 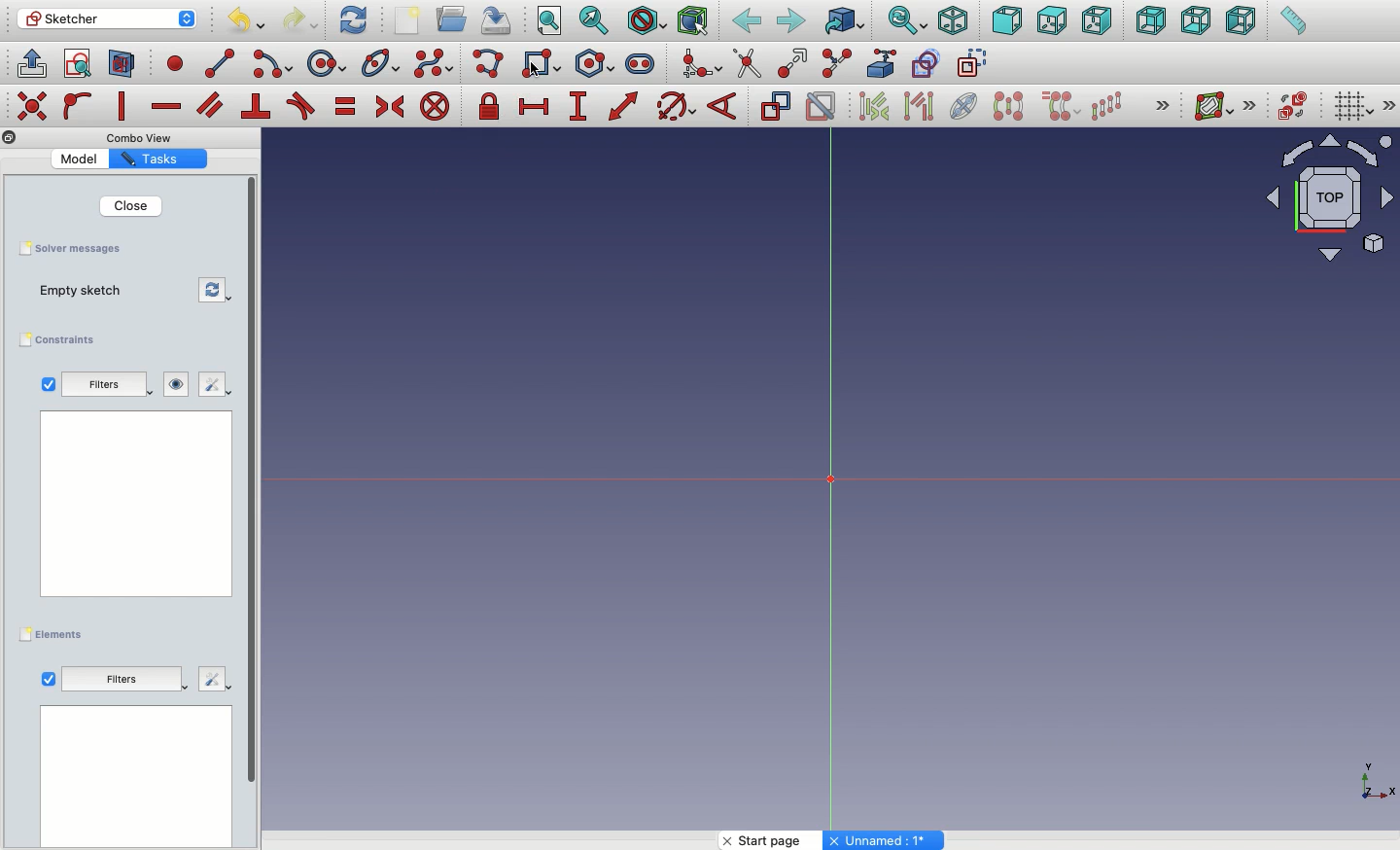 What do you see at coordinates (221, 63) in the screenshot?
I see `line` at bounding box center [221, 63].